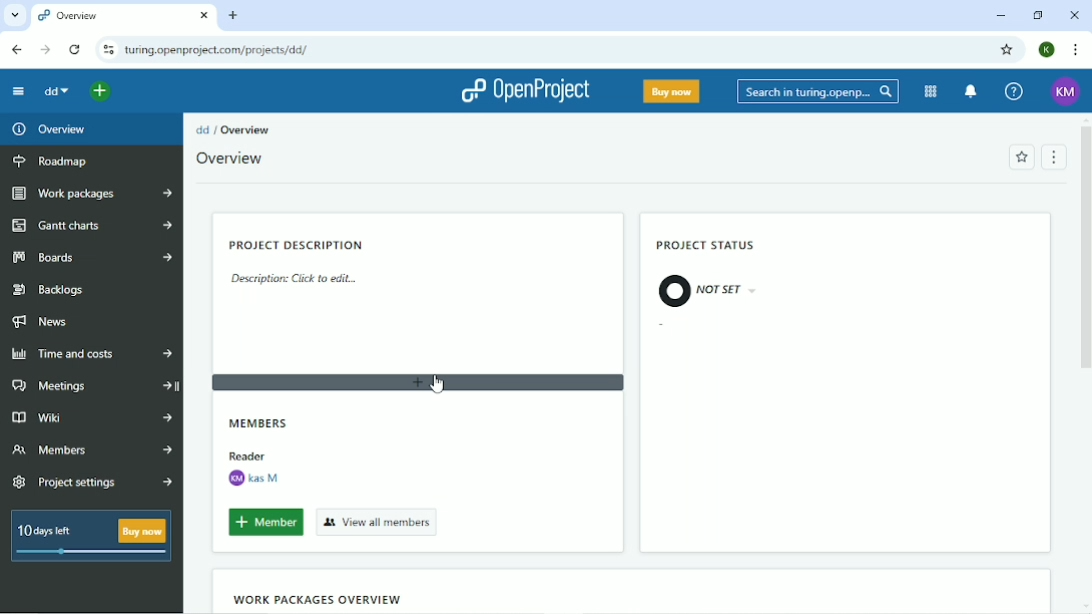  What do you see at coordinates (93, 481) in the screenshot?
I see `Project settings` at bounding box center [93, 481].